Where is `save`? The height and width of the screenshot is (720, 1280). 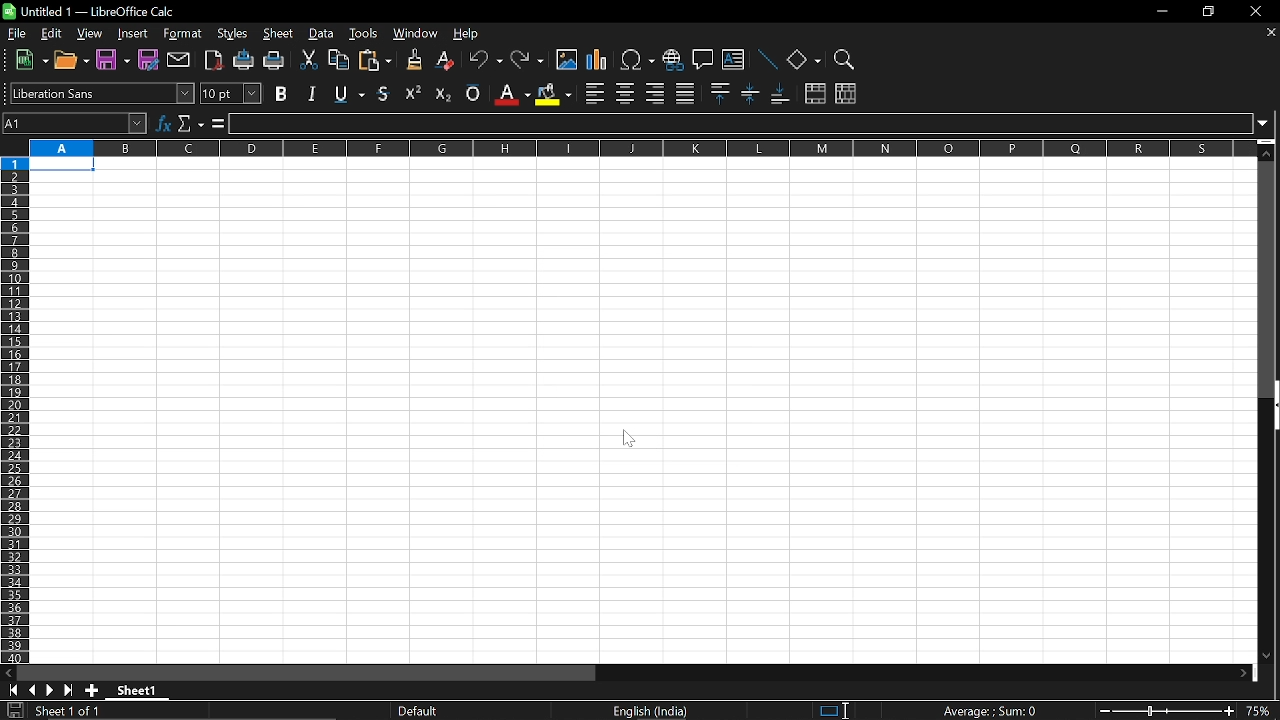
save is located at coordinates (14, 711).